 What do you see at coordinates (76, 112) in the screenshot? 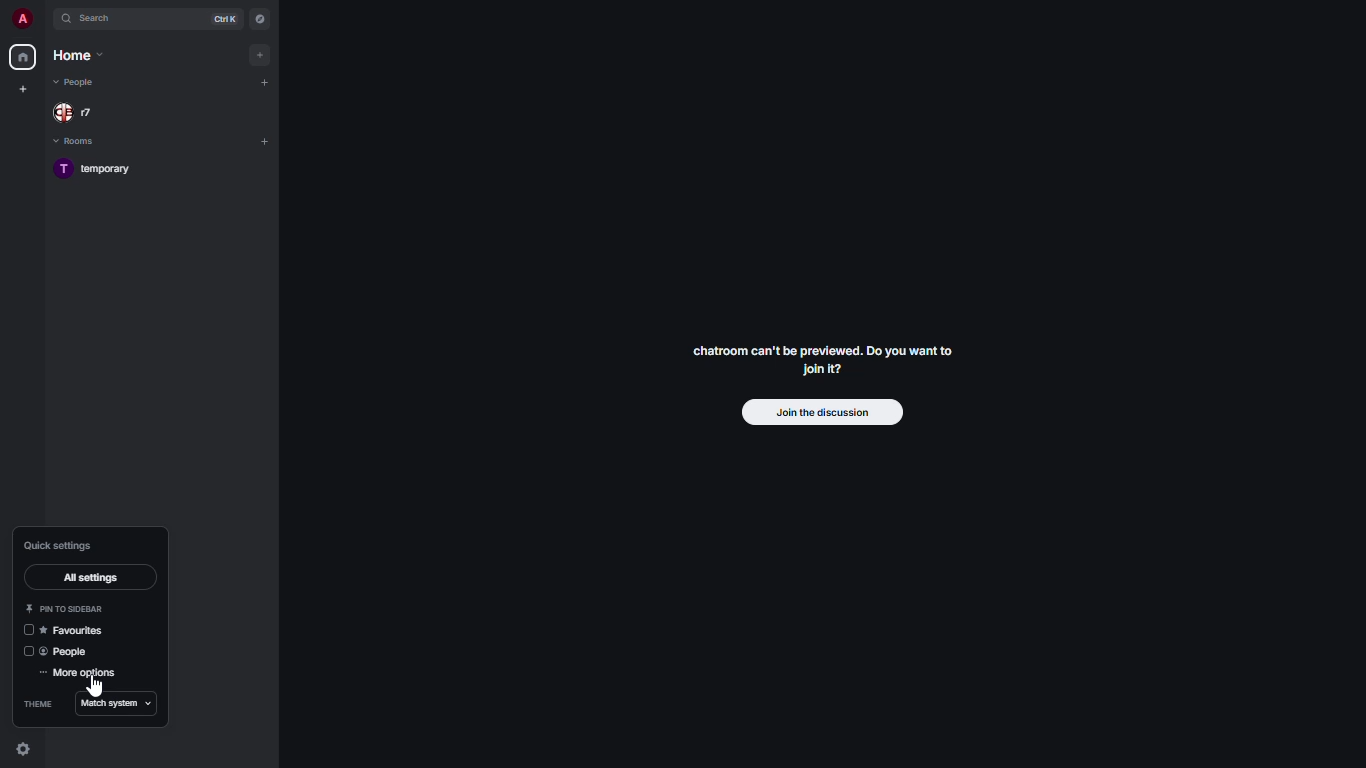
I see `people` at bounding box center [76, 112].